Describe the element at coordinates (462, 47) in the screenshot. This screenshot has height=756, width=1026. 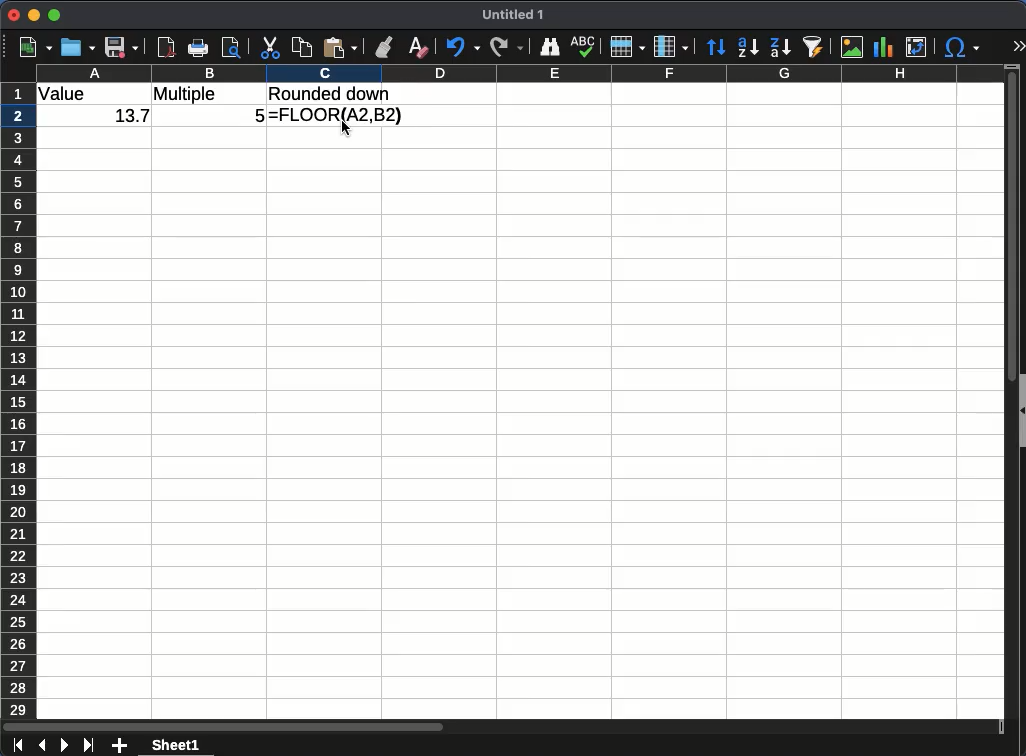
I see `undo` at that location.